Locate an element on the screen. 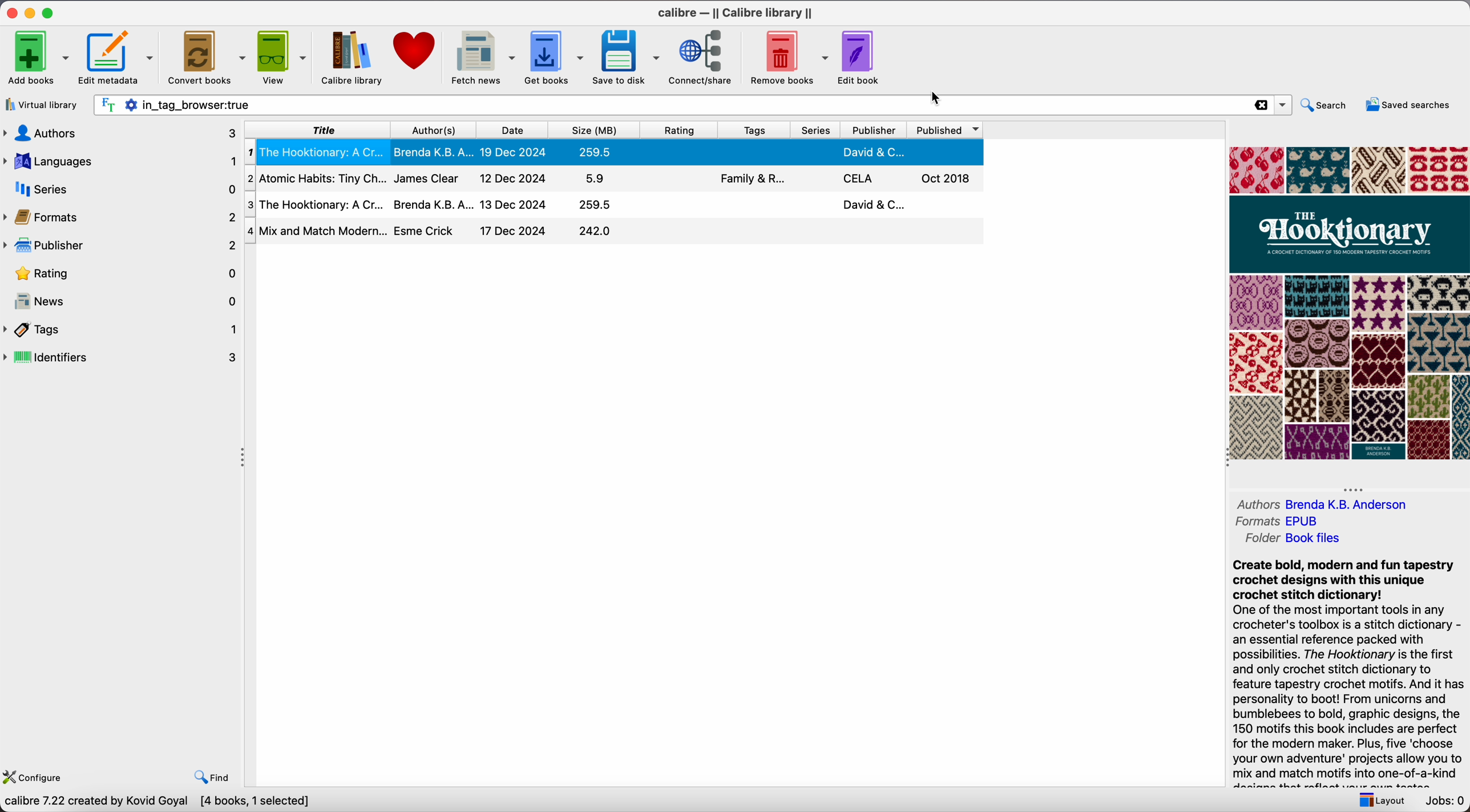  convert books is located at coordinates (208, 56).